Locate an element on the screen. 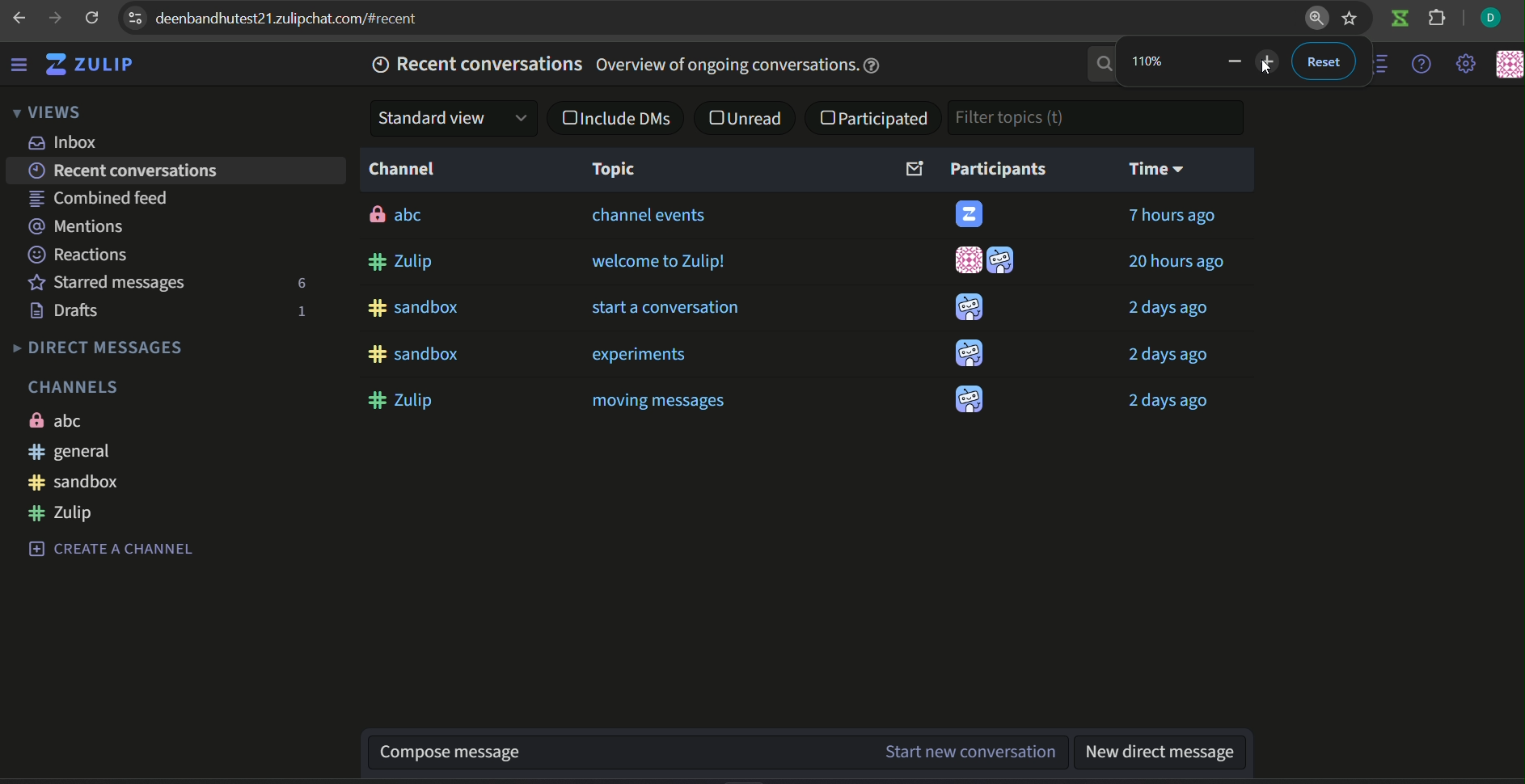 This screenshot has height=784, width=1525. 2 days ago is located at coordinates (1168, 356).